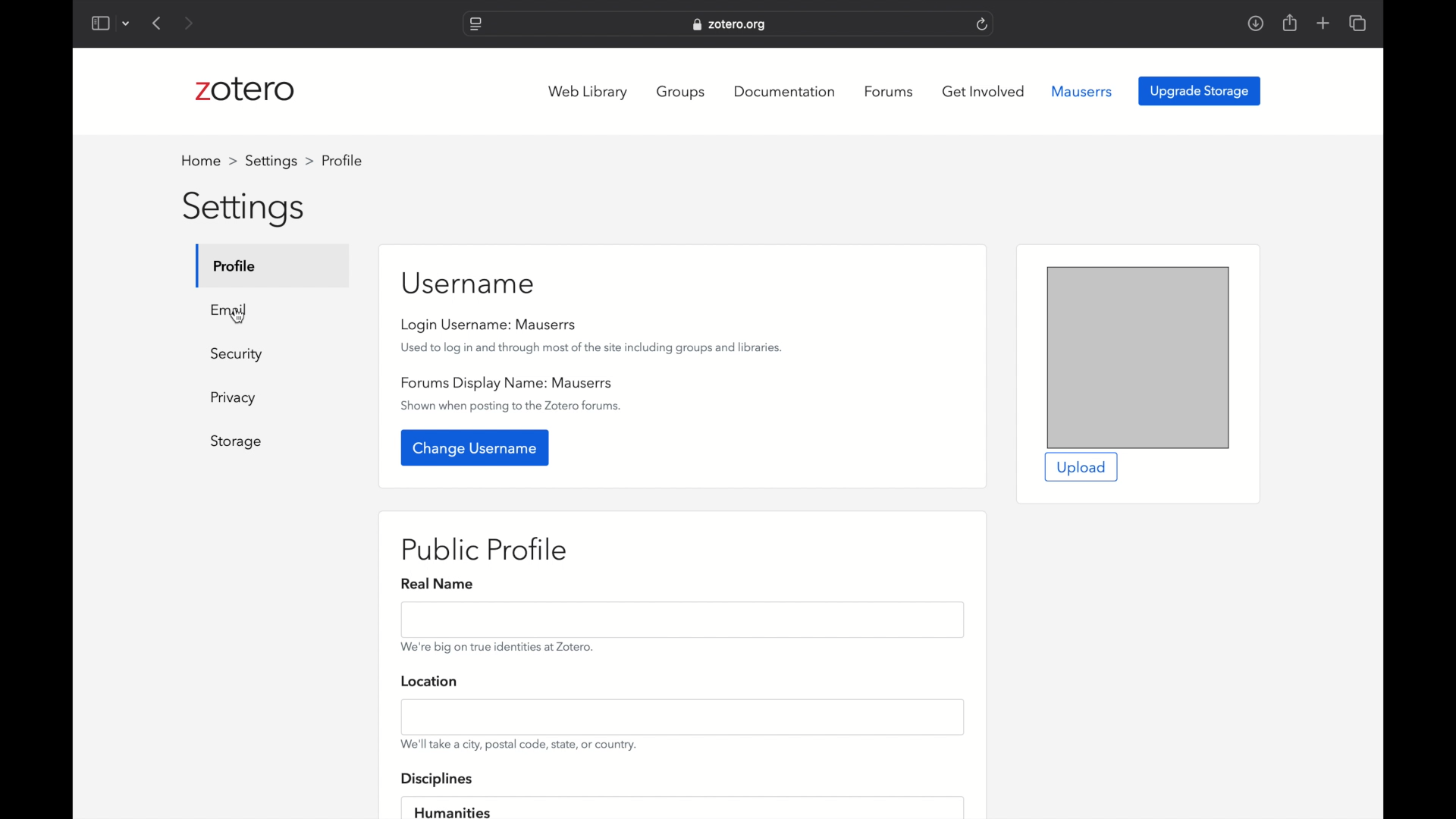 The height and width of the screenshot is (819, 1456). What do you see at coordinates (1359, 23) in the screenshot?
I see `show tab overview` at bounding box center [1359, 23].